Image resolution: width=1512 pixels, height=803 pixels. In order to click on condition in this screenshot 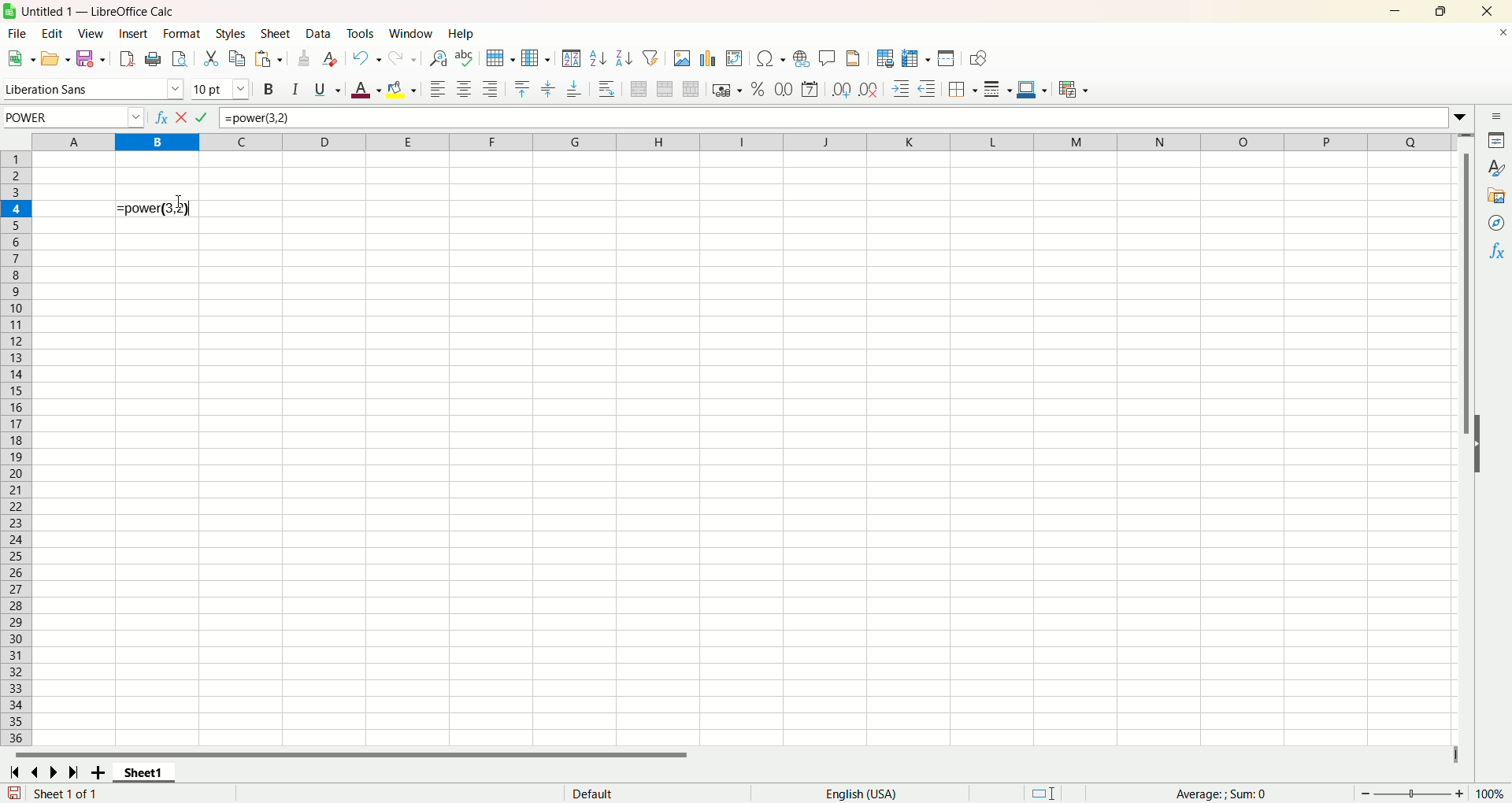, I will do `click(1073, 89)`.